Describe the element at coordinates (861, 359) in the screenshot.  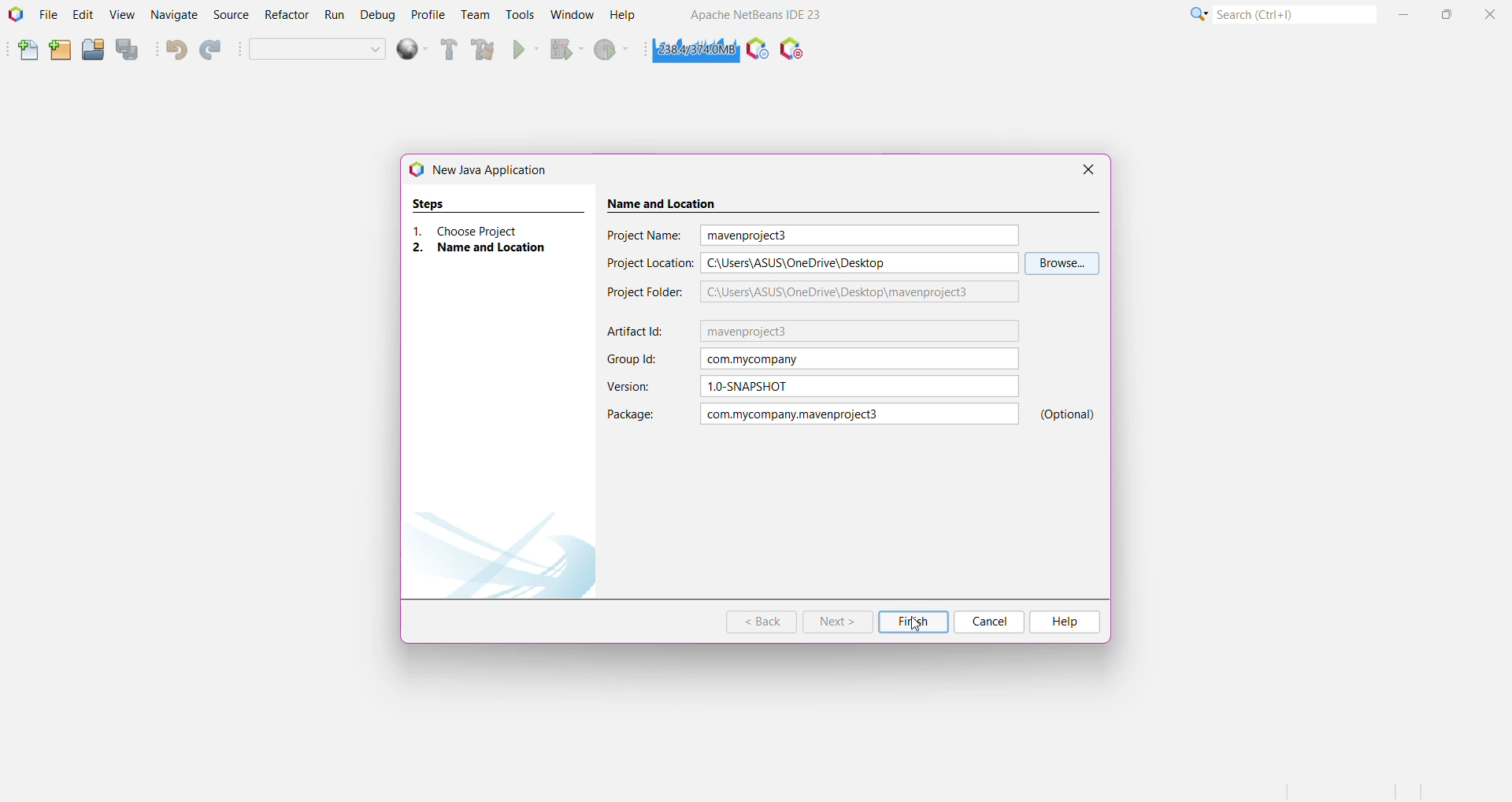
I see `Group Id` at that location.